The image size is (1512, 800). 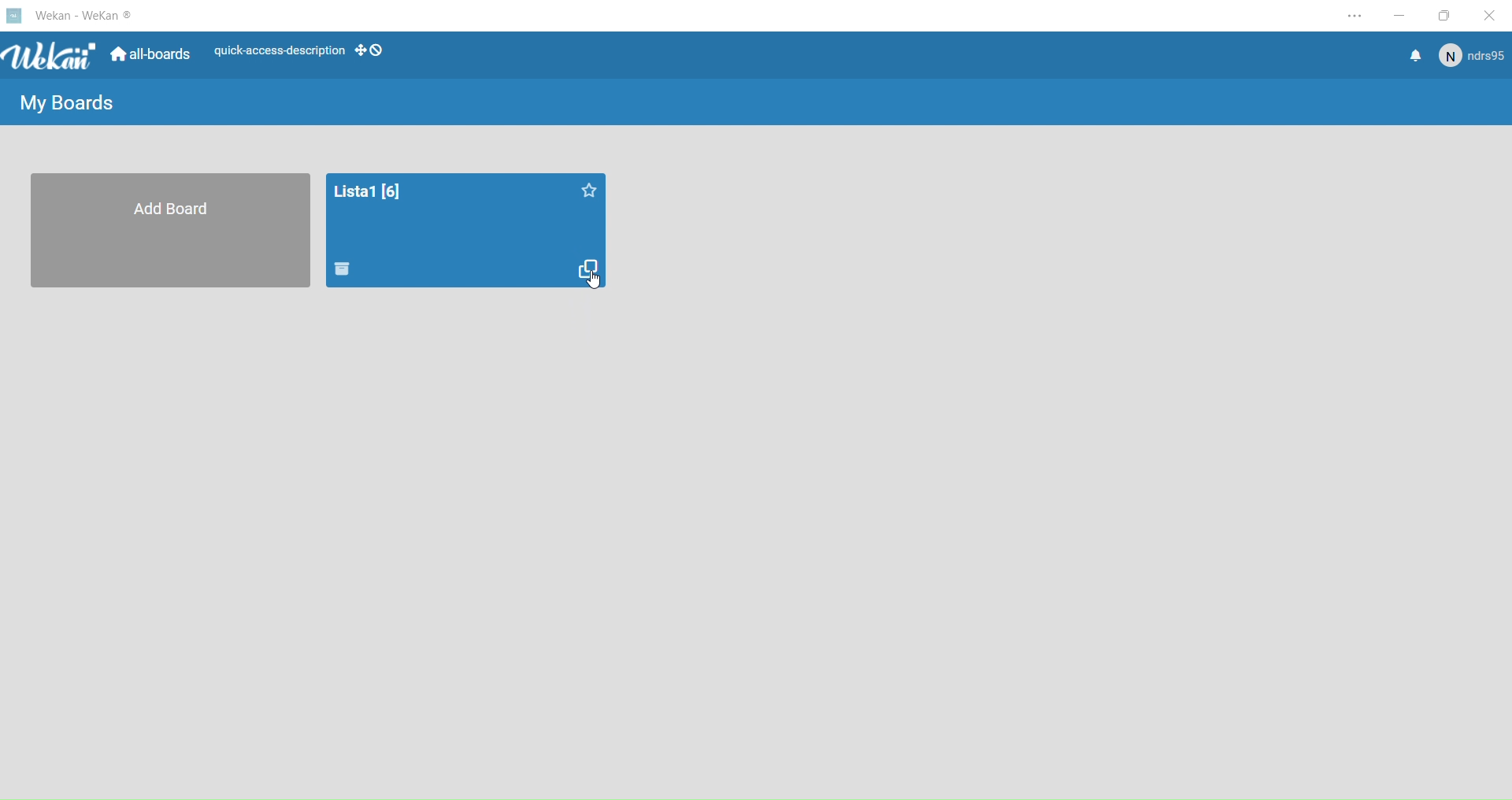 I want to click on Notify, so click(x=1411, y=56).